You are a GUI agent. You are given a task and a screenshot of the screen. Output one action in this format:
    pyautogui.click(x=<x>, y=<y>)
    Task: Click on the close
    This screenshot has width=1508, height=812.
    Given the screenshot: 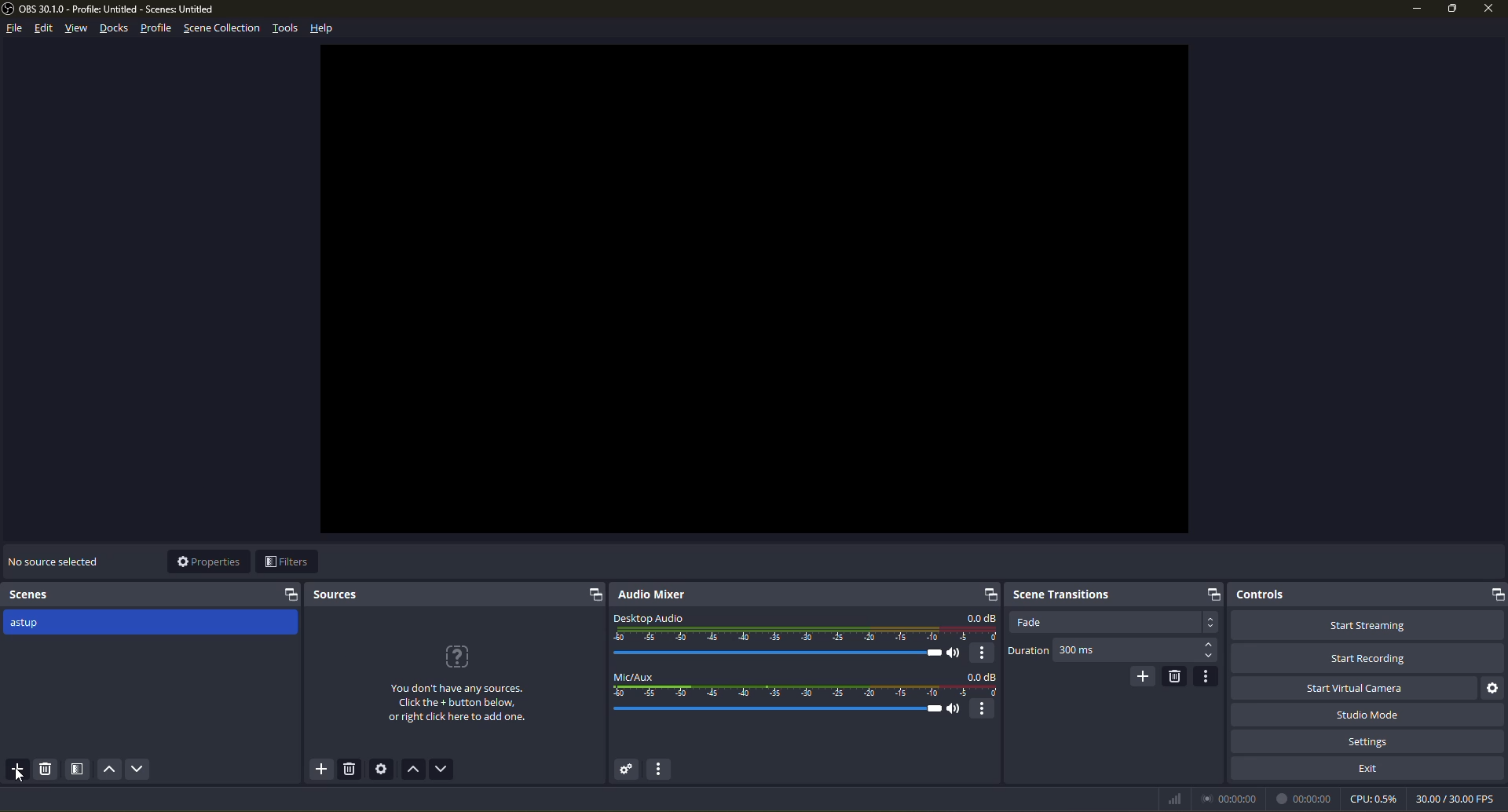 What is the action you would take?
    pyautogui.click(x=1489, y=9)
    